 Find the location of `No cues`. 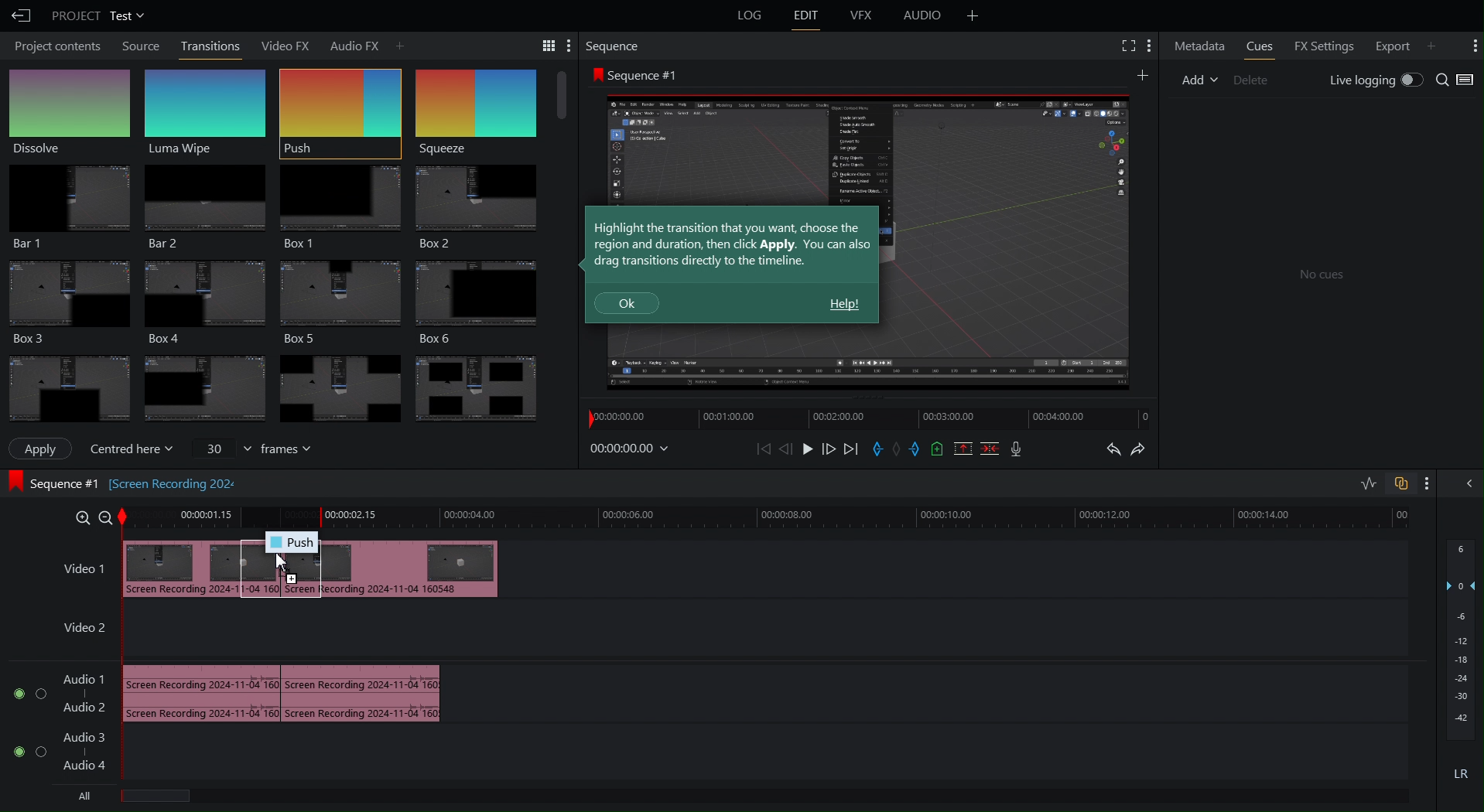

No cues is located at coordinates (1321, 275).